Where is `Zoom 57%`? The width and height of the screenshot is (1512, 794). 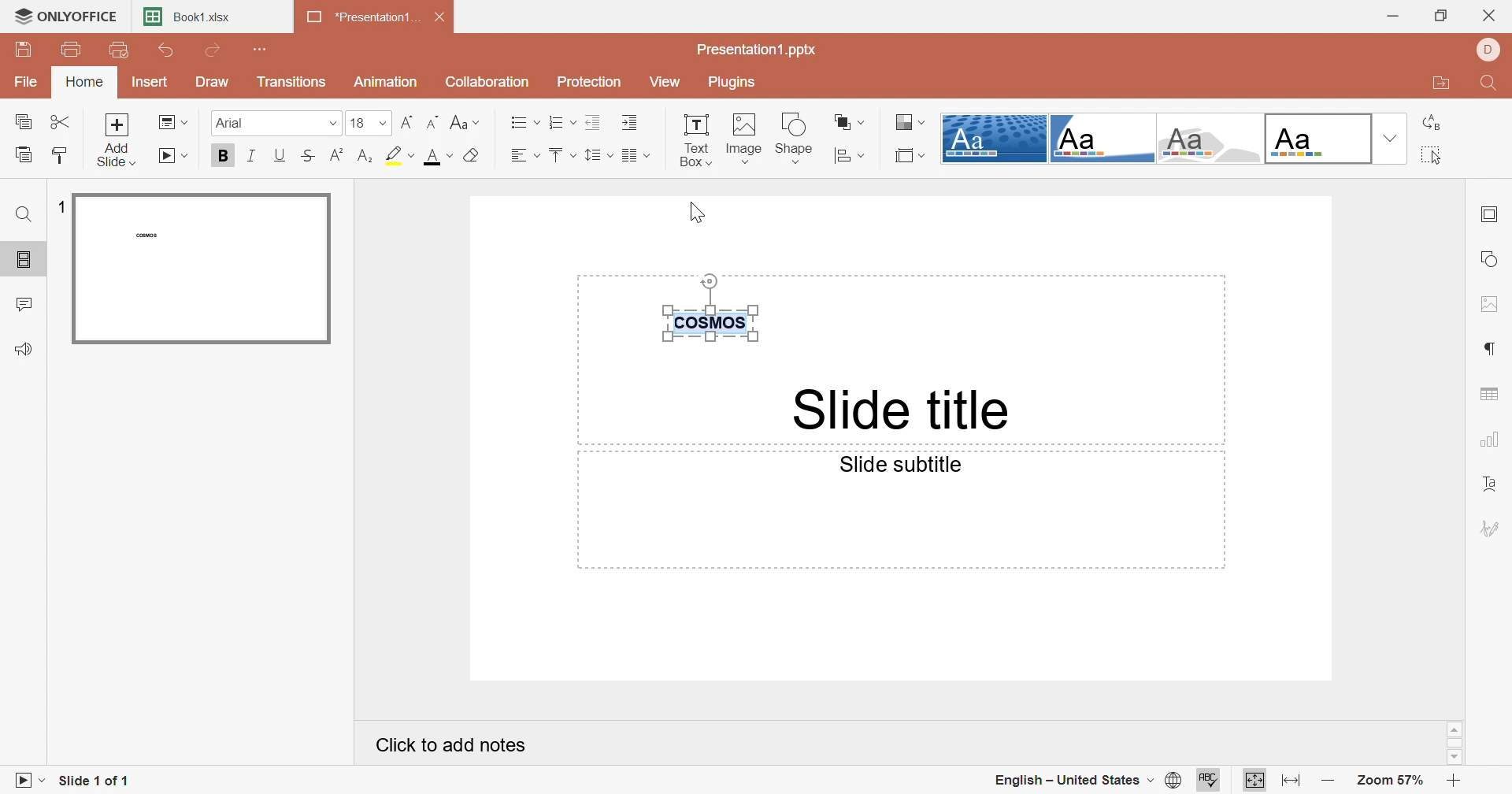 Zoom 57% is located at coordinates (1394, 780).